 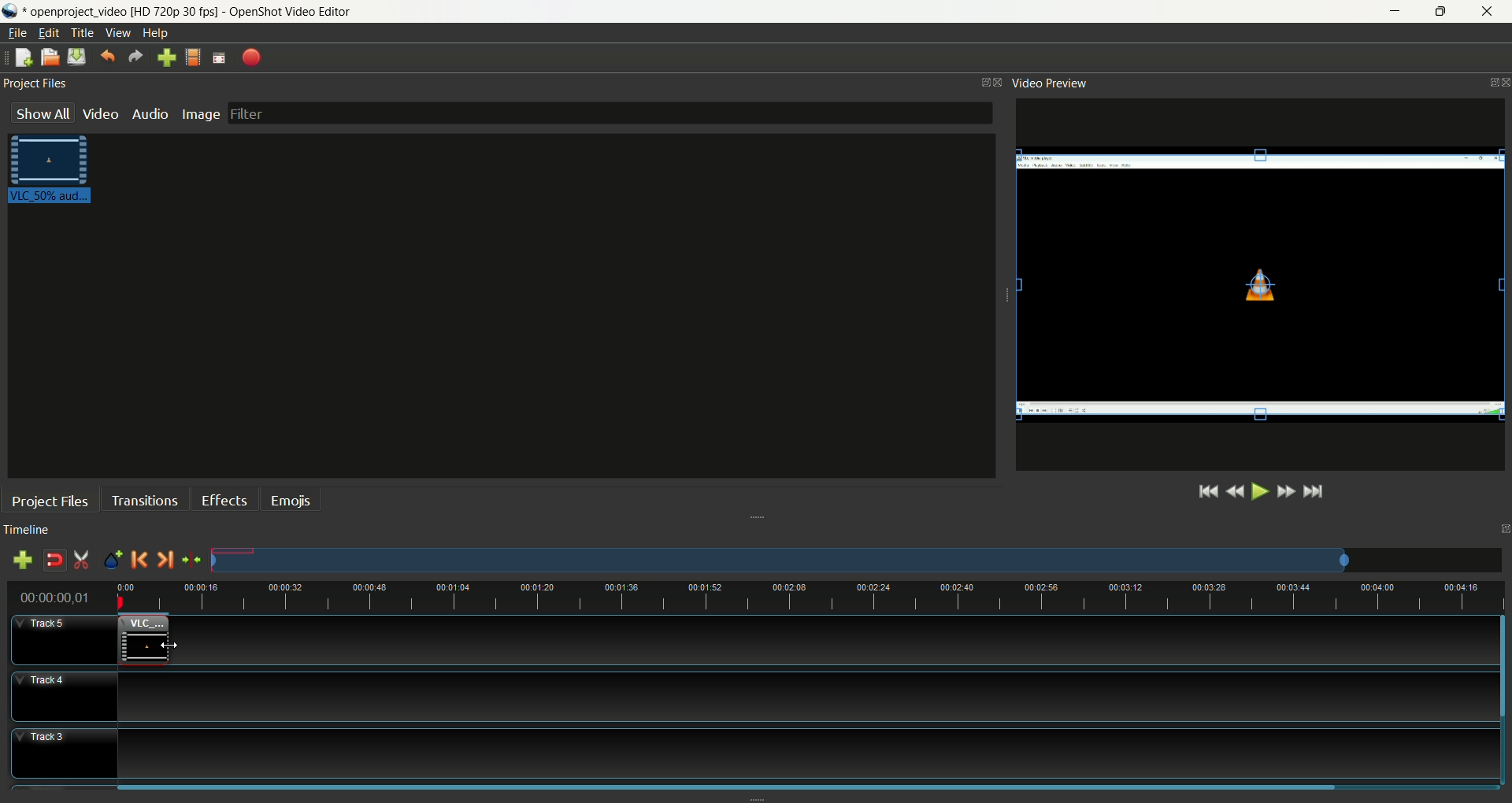 I want to click on disable snapping, so click(x=55, y=561).